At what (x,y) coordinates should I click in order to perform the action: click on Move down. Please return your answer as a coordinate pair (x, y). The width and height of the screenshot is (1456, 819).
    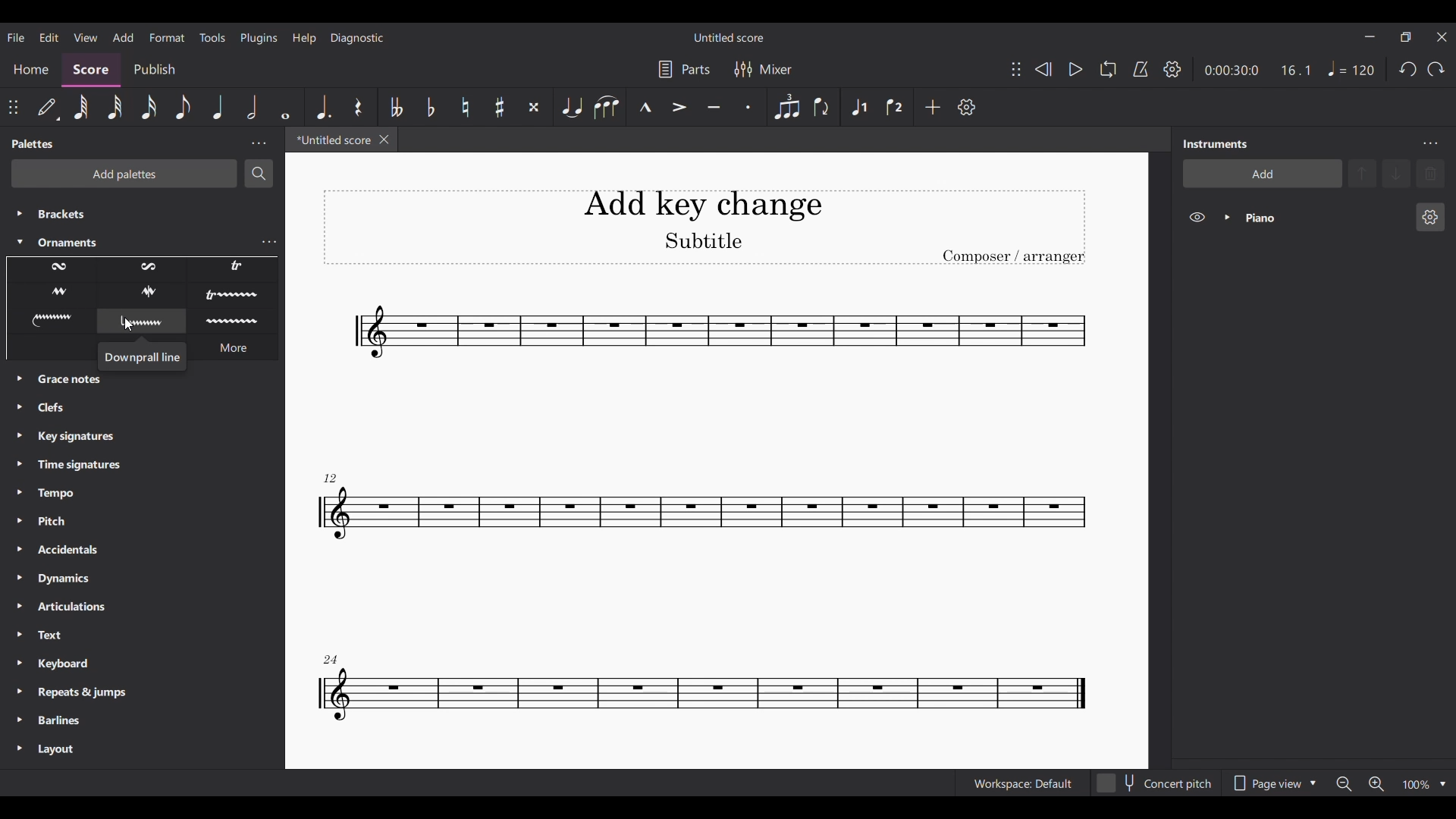
    Looking at the image, I should click on (1396, 174).